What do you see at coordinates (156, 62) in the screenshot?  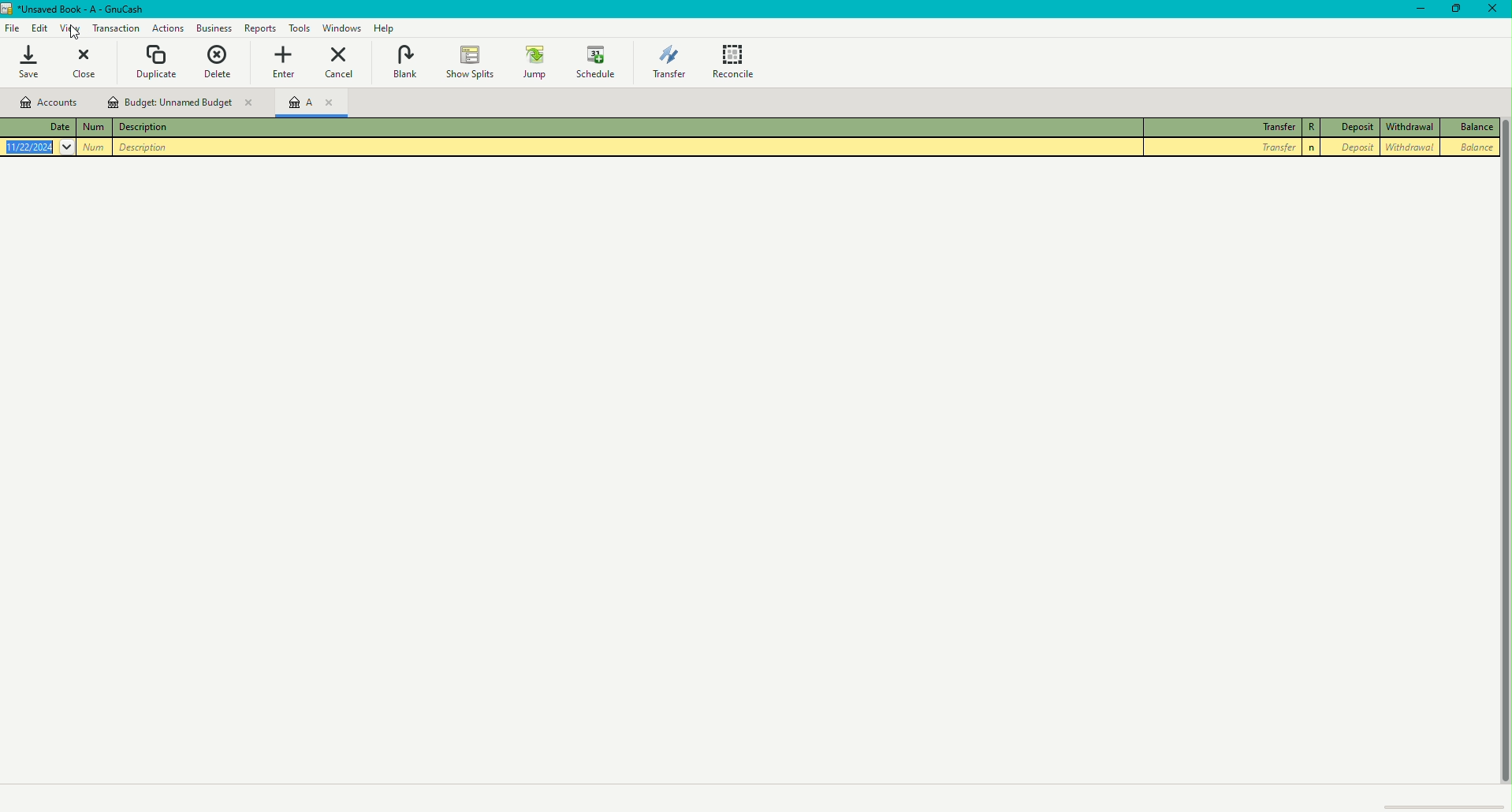 I see `Duplicate` at bounding box center [156, 62].